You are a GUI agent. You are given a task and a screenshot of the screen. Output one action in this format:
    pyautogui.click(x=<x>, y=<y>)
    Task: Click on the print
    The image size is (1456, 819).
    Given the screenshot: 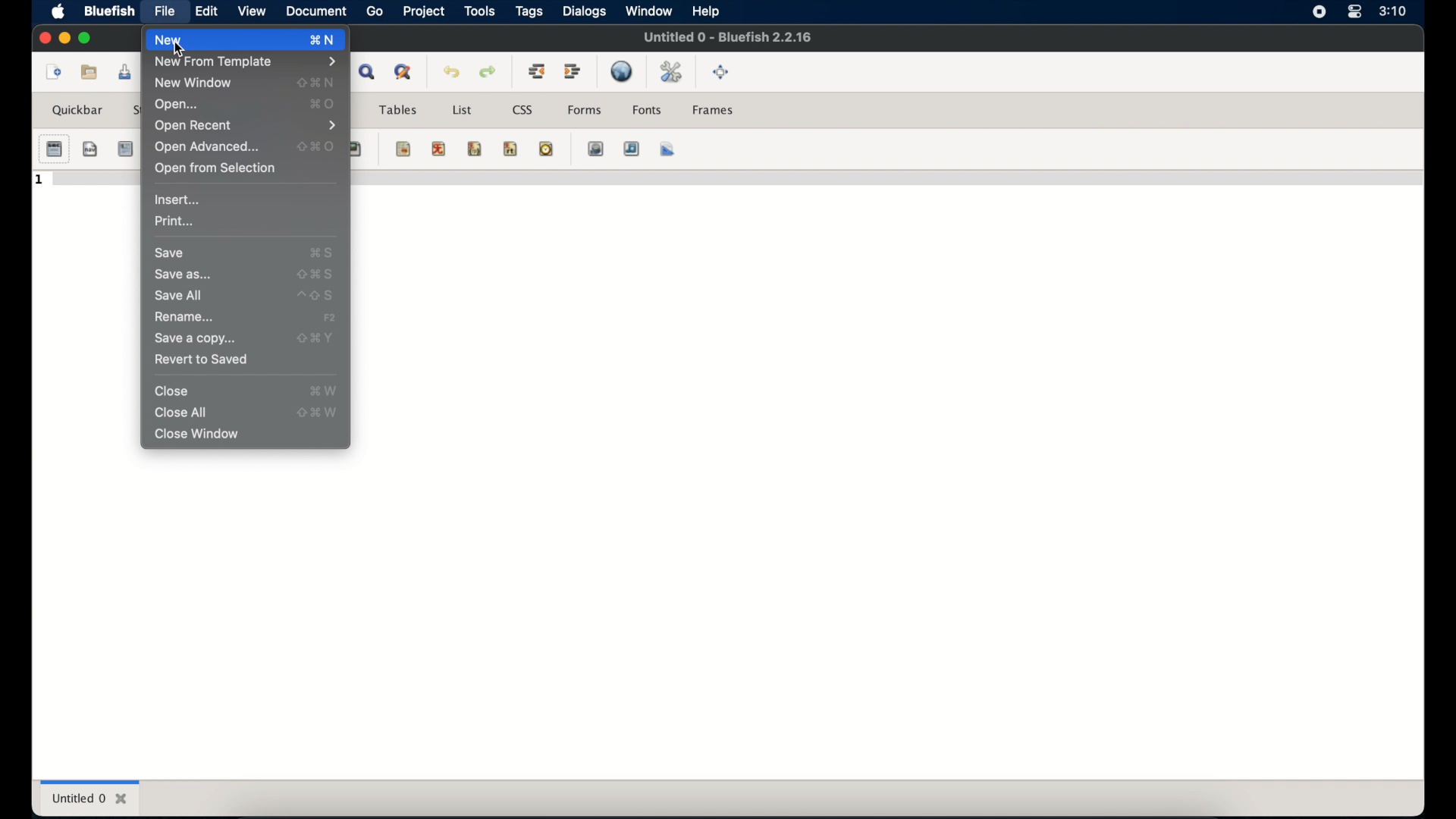 What is the action you would take?
    pyautogui.click(x=174, y=221)
    